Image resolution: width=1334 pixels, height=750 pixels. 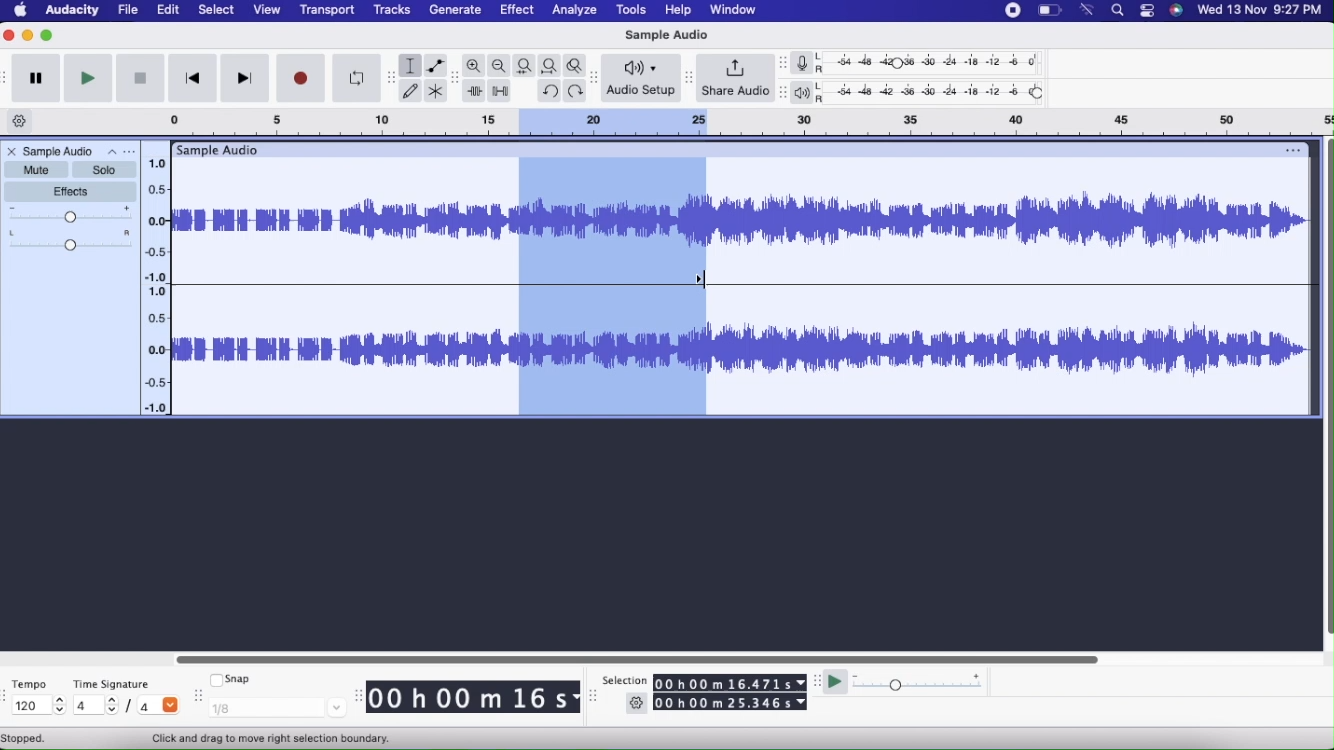 What do you see at coordinates (637, 705) in the screenshot?
I see `Settings` at bounding box center [637, 705].